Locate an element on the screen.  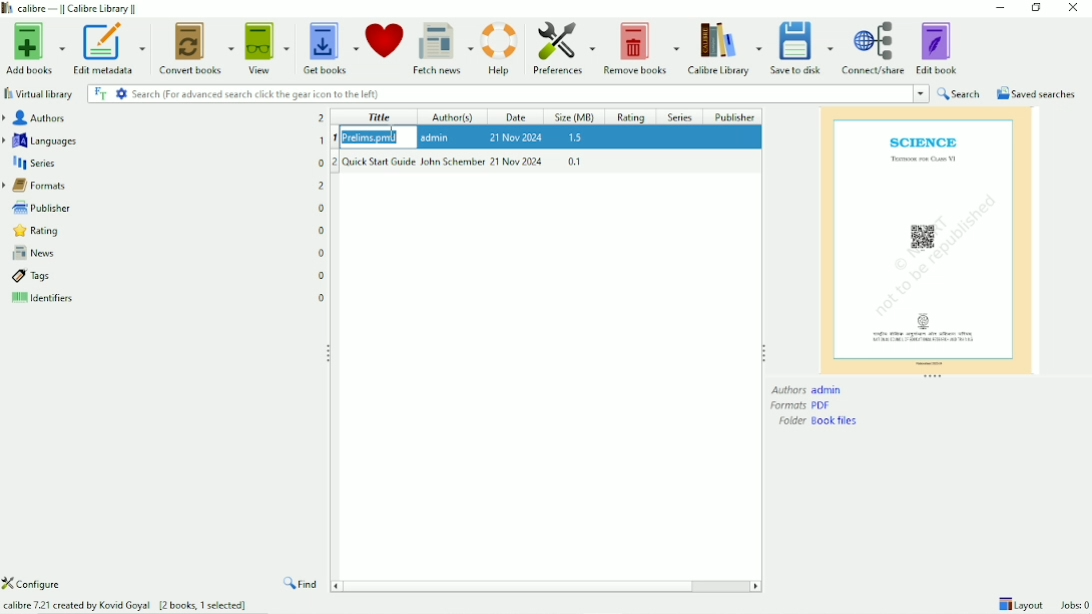
Virtual library is located at coordinates (39, 93).